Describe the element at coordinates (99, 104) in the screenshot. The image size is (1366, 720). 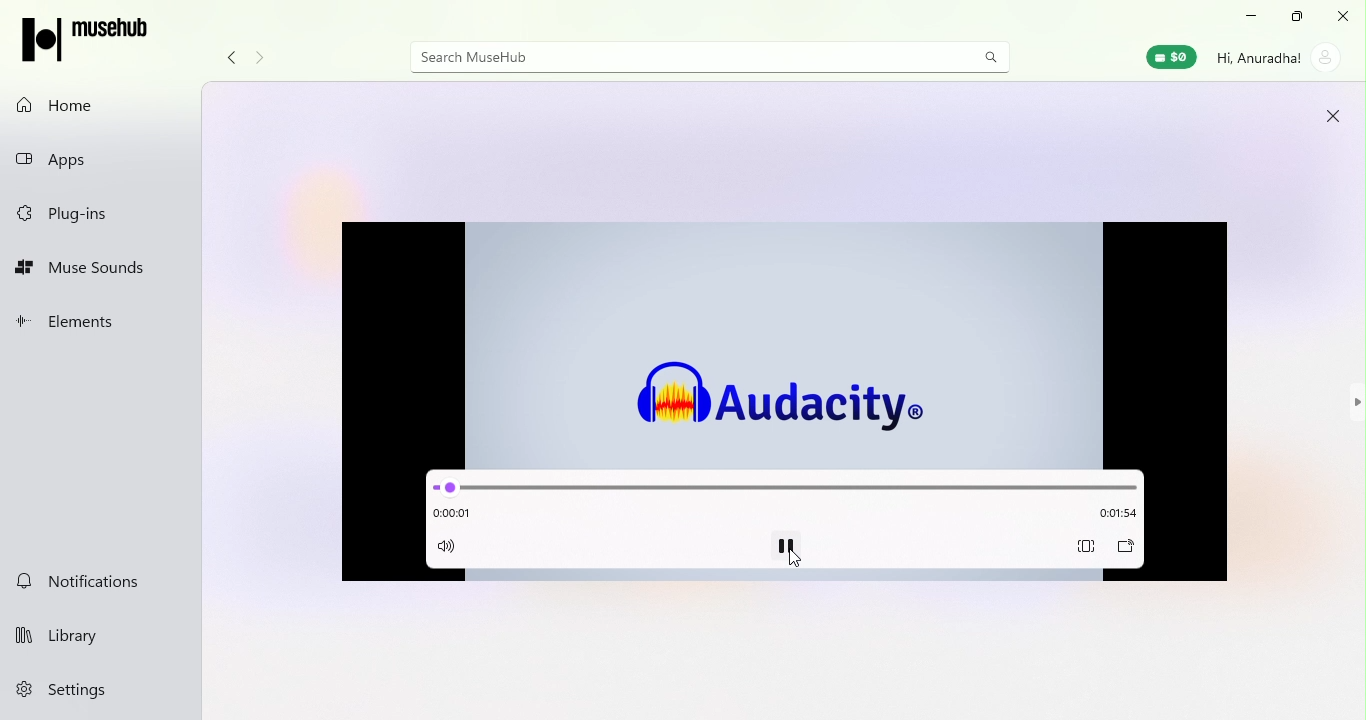
I see `Home` at that location.